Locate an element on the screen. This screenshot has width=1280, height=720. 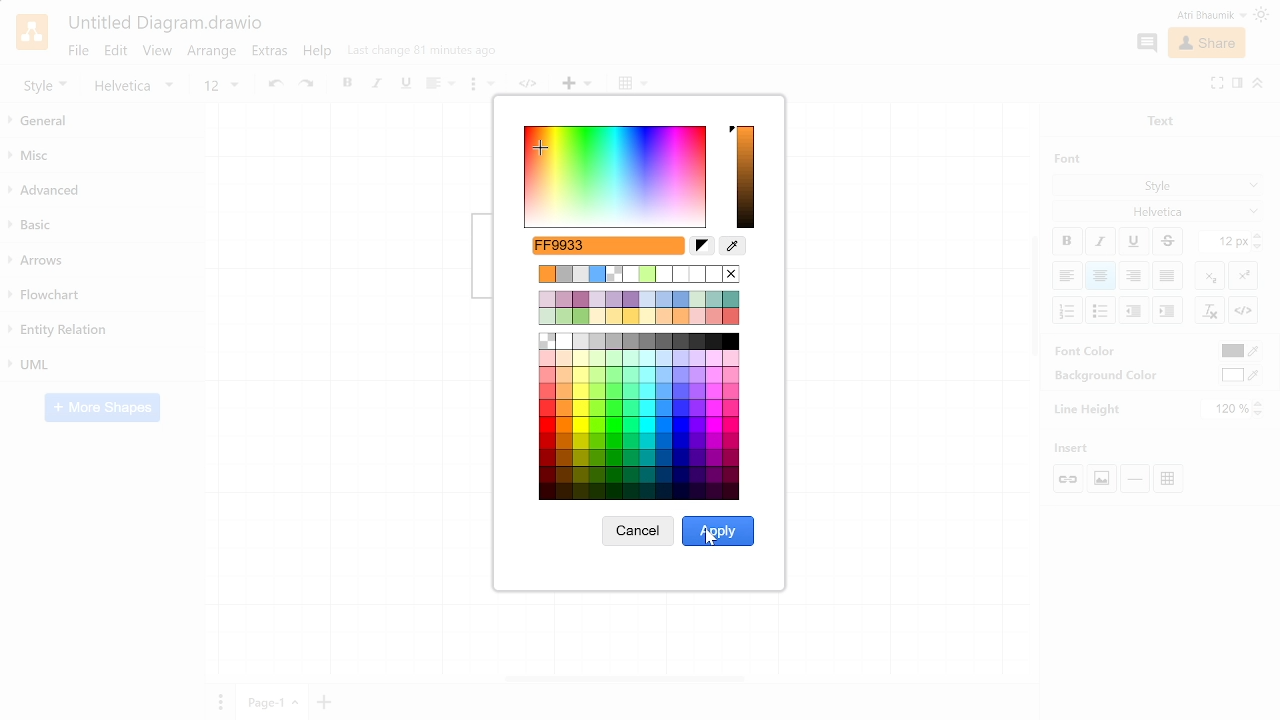
Pages is located at coordinates (218, 701).